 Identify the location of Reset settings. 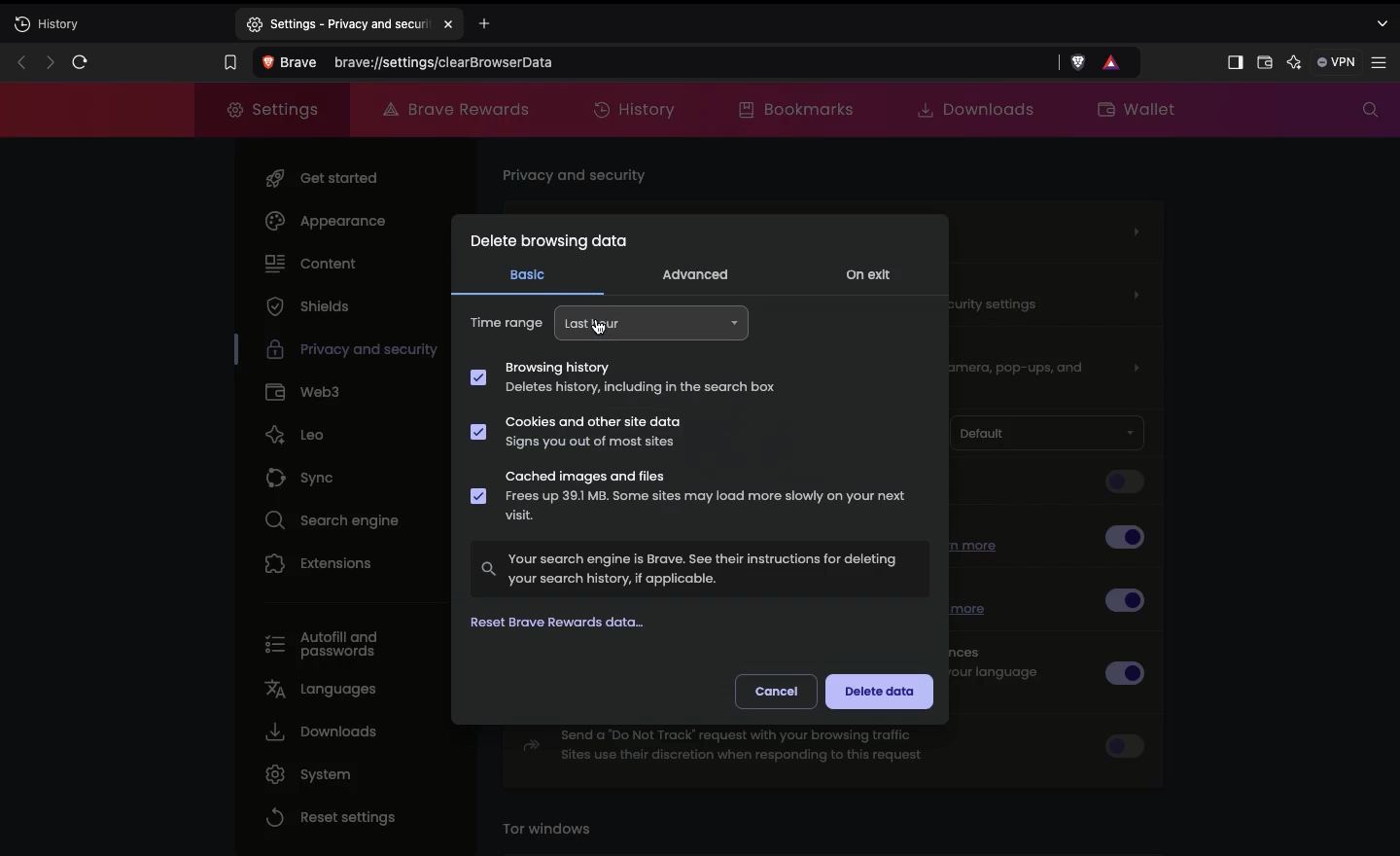
(331, 817).